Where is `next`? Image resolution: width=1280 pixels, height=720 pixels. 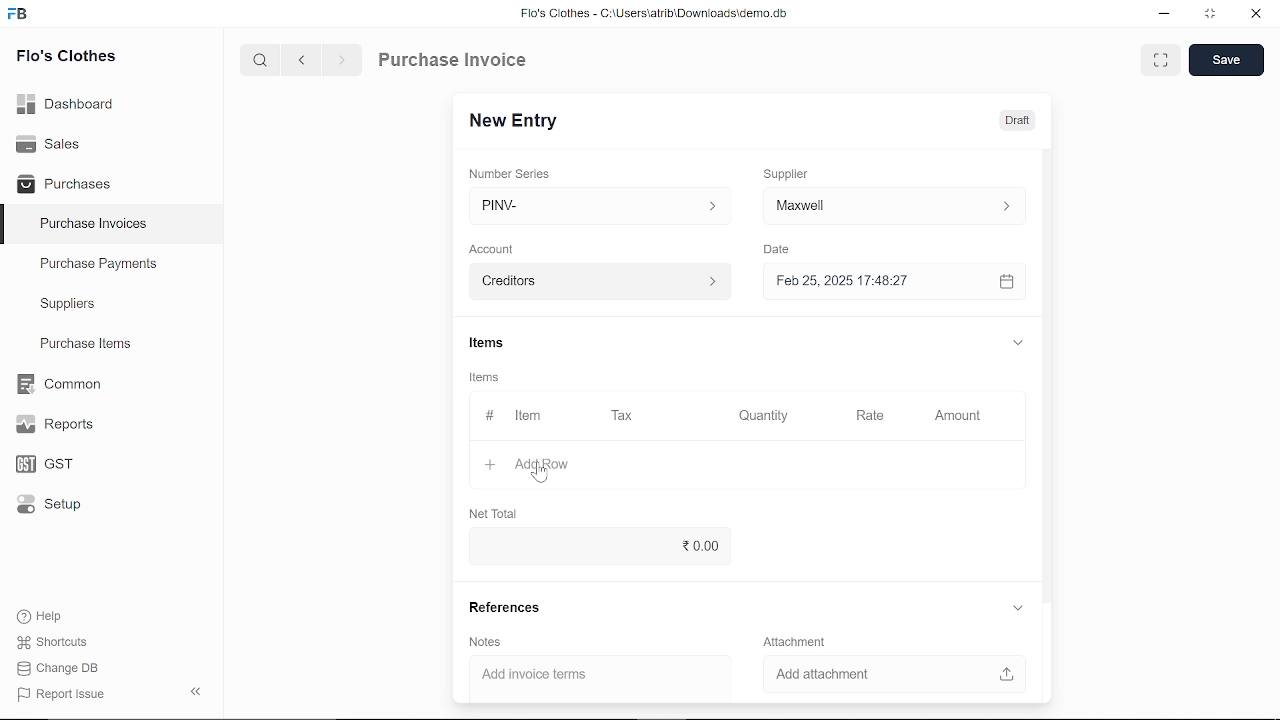 next is located at coordinates (342, 63).